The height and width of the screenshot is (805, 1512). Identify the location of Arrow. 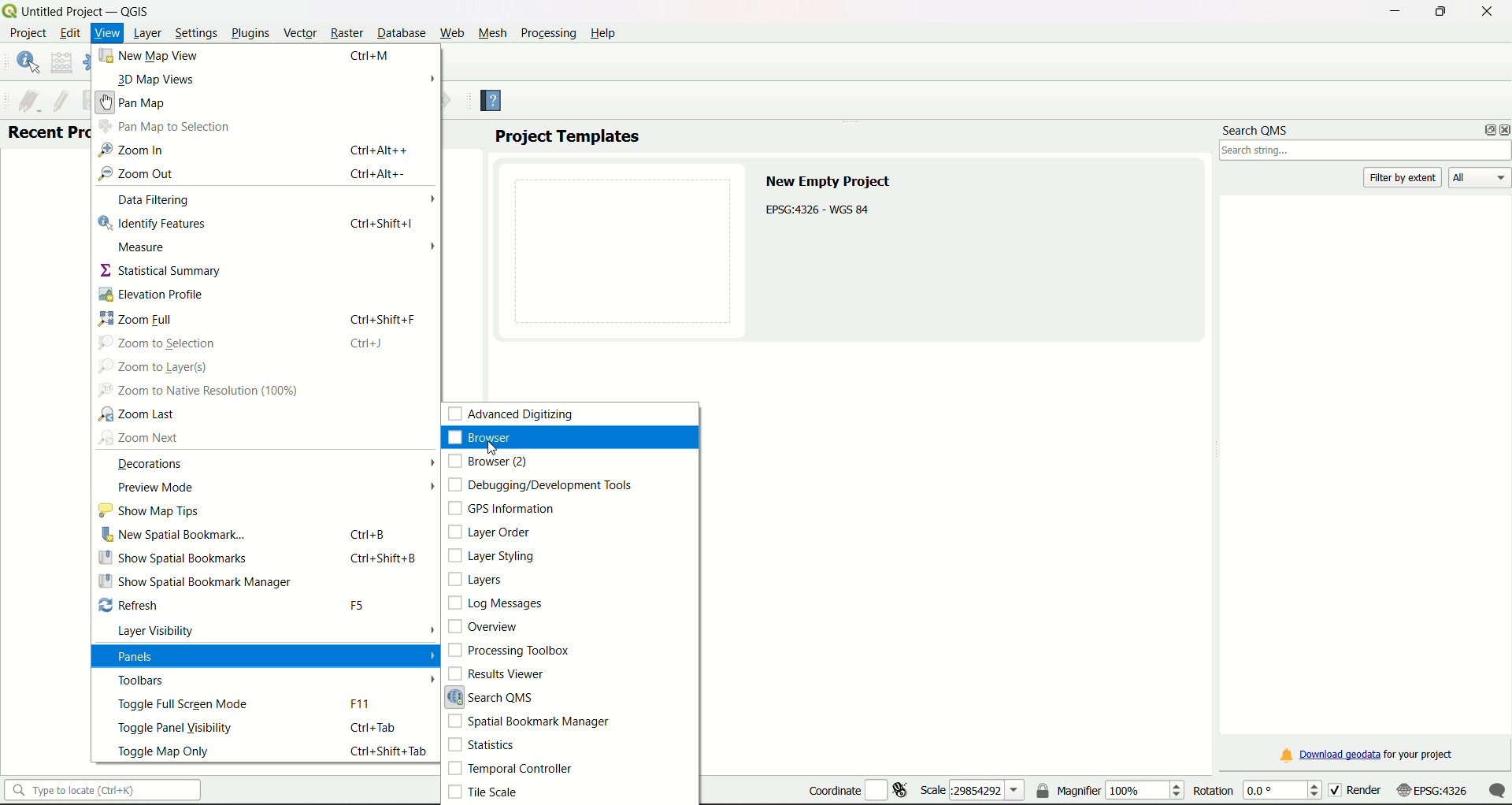
(432, 247).